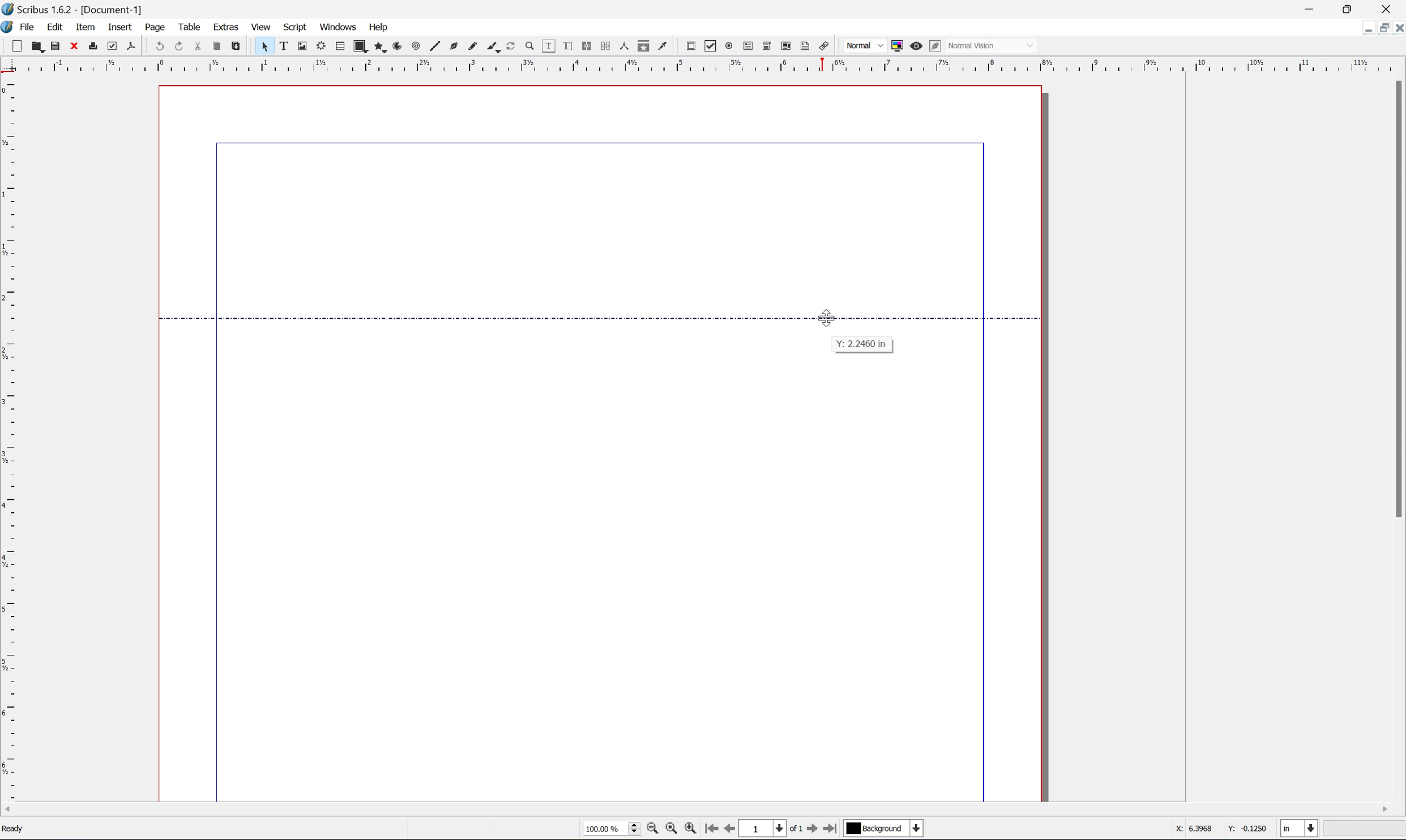 This screenshot has width=1406, height=840. I want to click on edit, so click(52, 25).